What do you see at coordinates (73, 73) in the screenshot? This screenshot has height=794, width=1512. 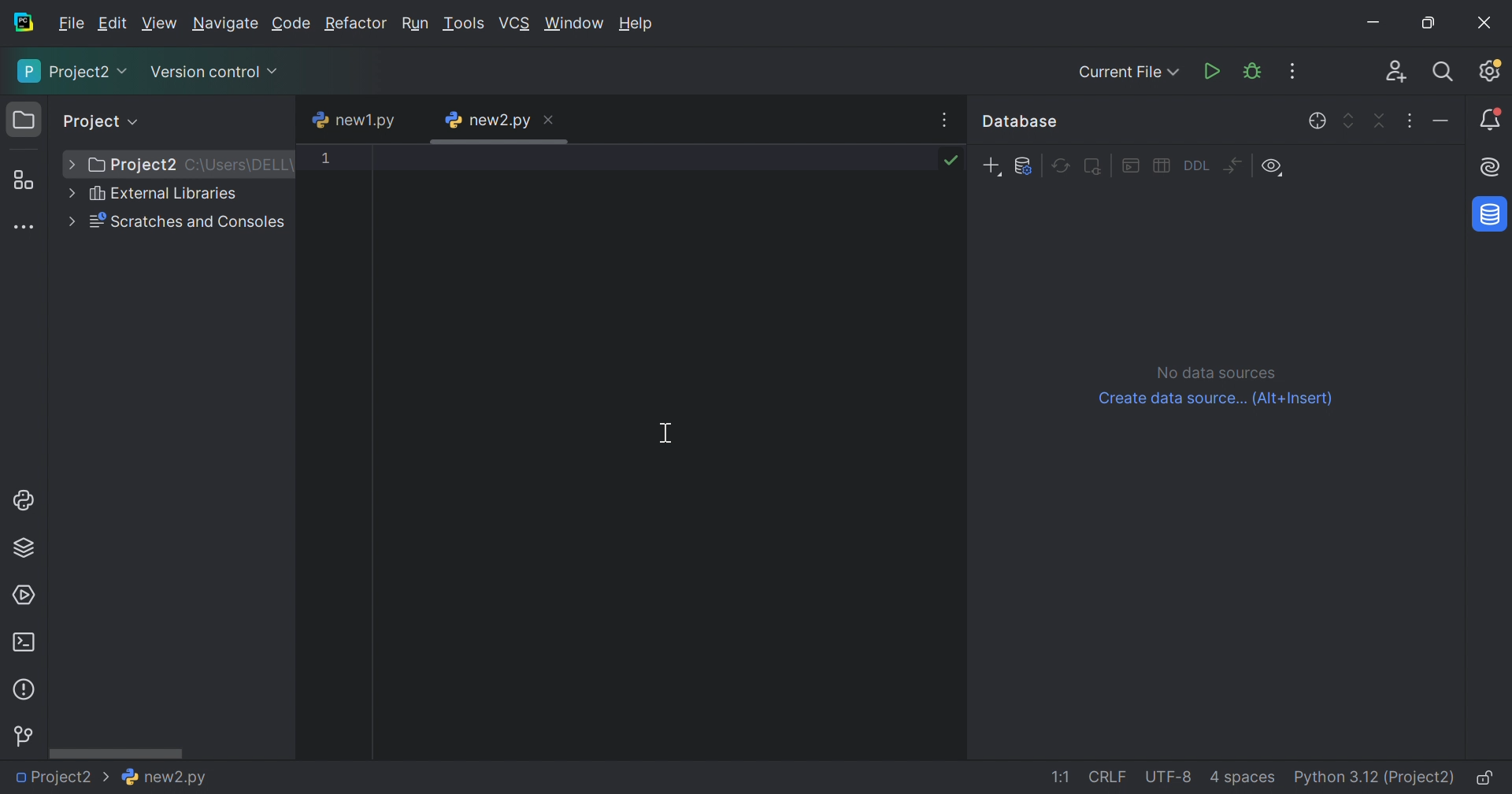 I see `Project` at bounding box center [73, 73].